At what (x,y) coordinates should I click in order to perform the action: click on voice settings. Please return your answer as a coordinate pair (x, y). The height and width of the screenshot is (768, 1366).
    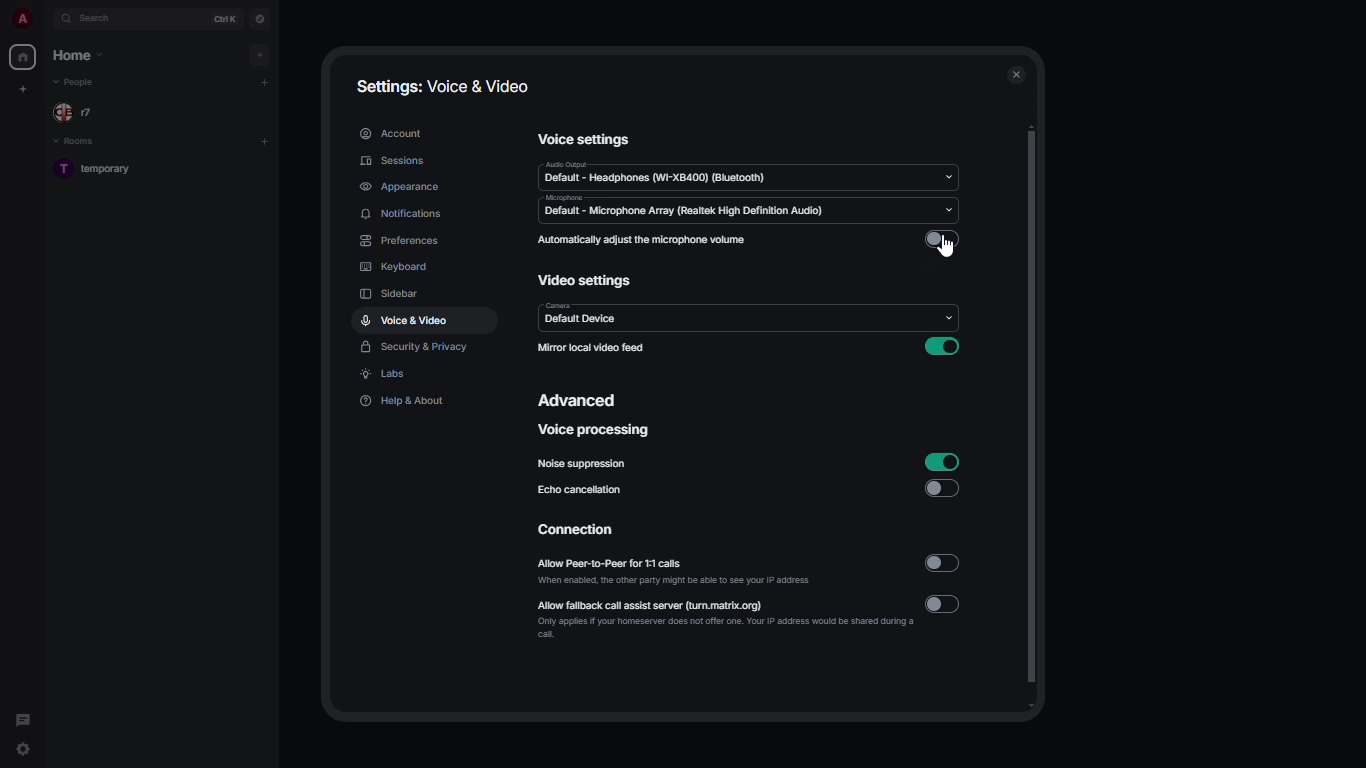
    Looking at the image, I should click on (580, 138).